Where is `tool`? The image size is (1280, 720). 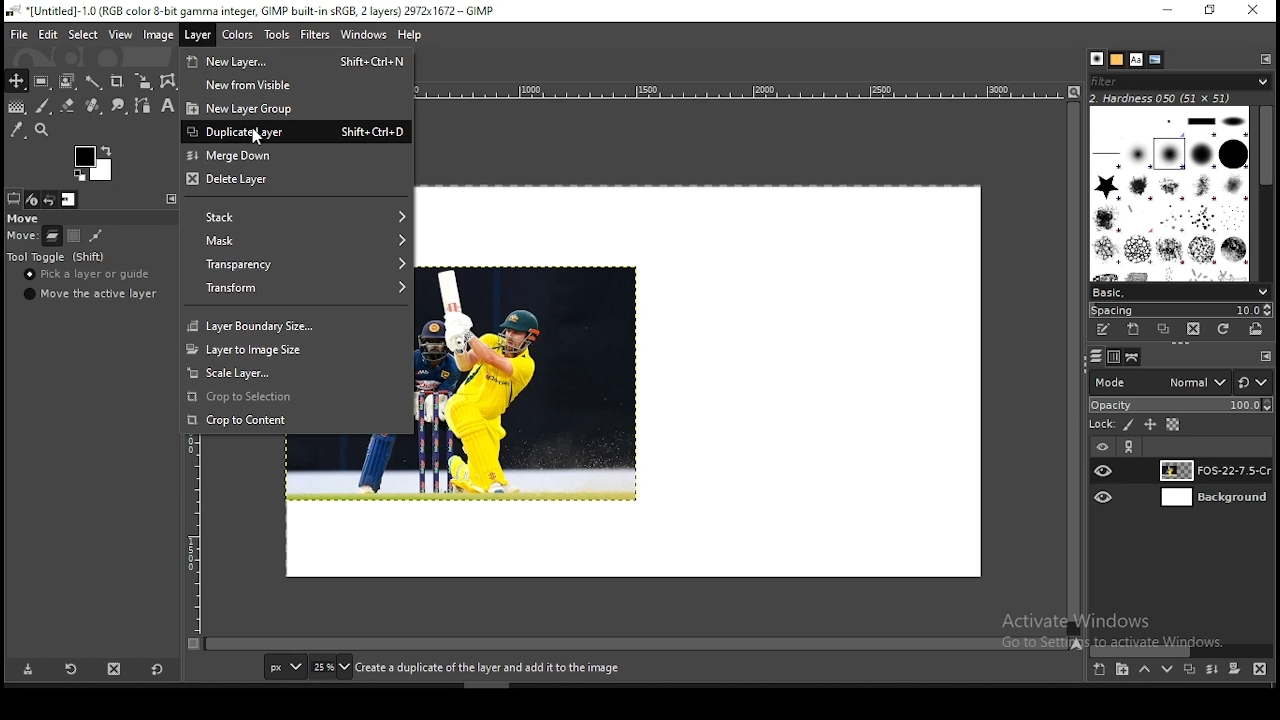 tool is located at coordinates (1131, 447).